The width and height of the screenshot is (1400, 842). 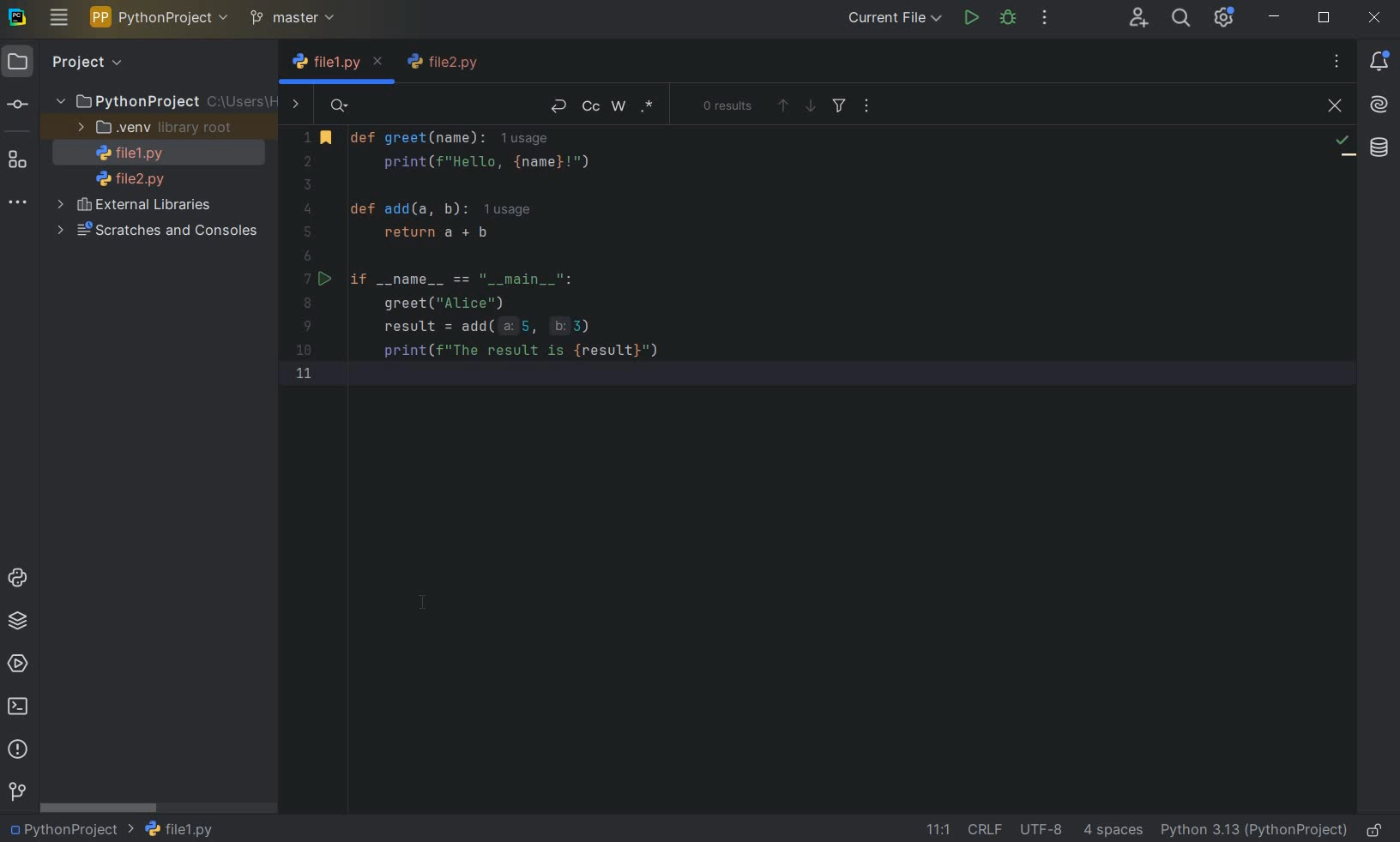 What do you see at coordinates (1137, 17) in the screenshot?
I see `CODE WITH ME` at bounding box center [1137, 17].